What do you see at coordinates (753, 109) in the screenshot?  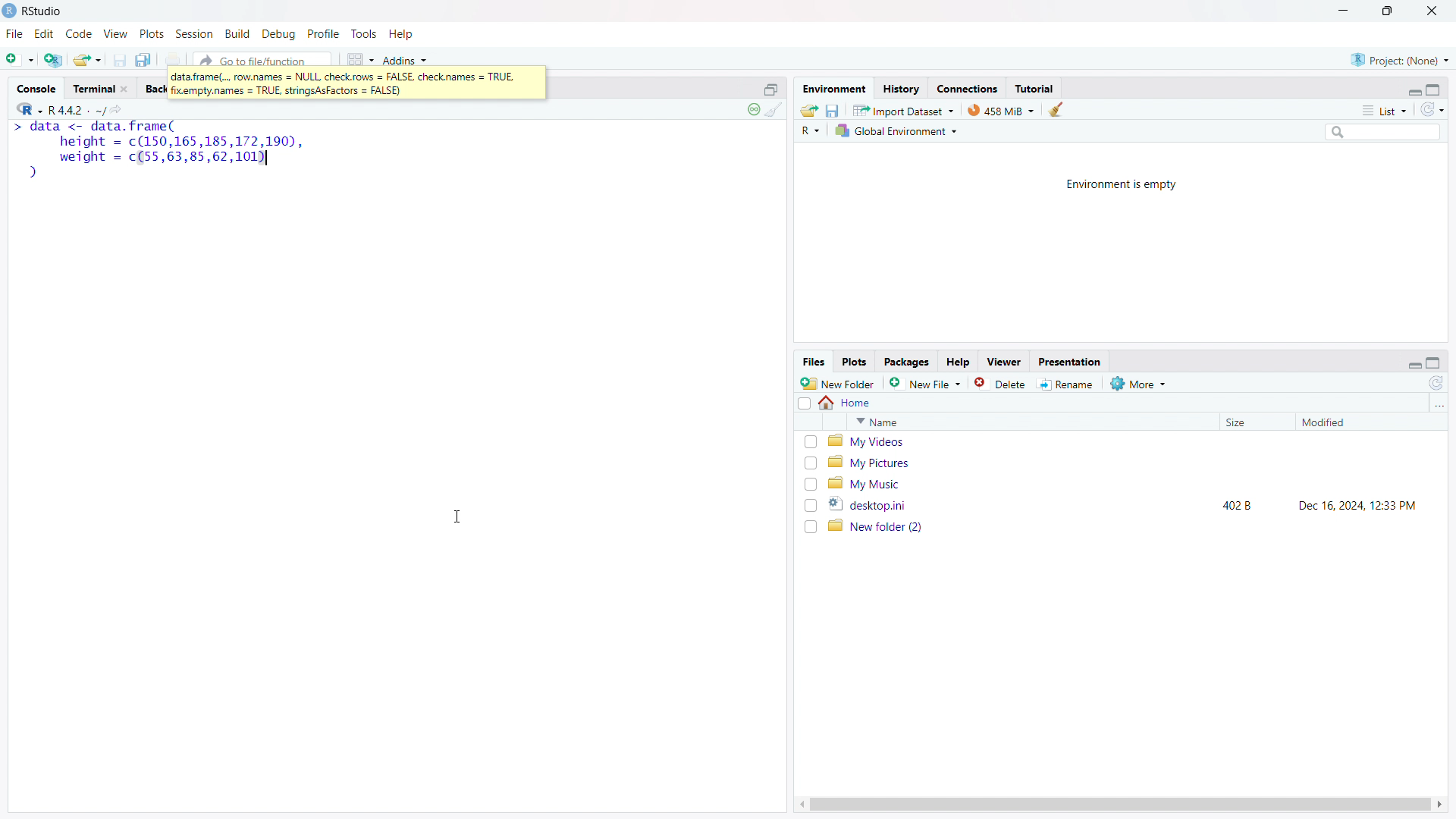 I see `show status` at bounding box center [753, 109].